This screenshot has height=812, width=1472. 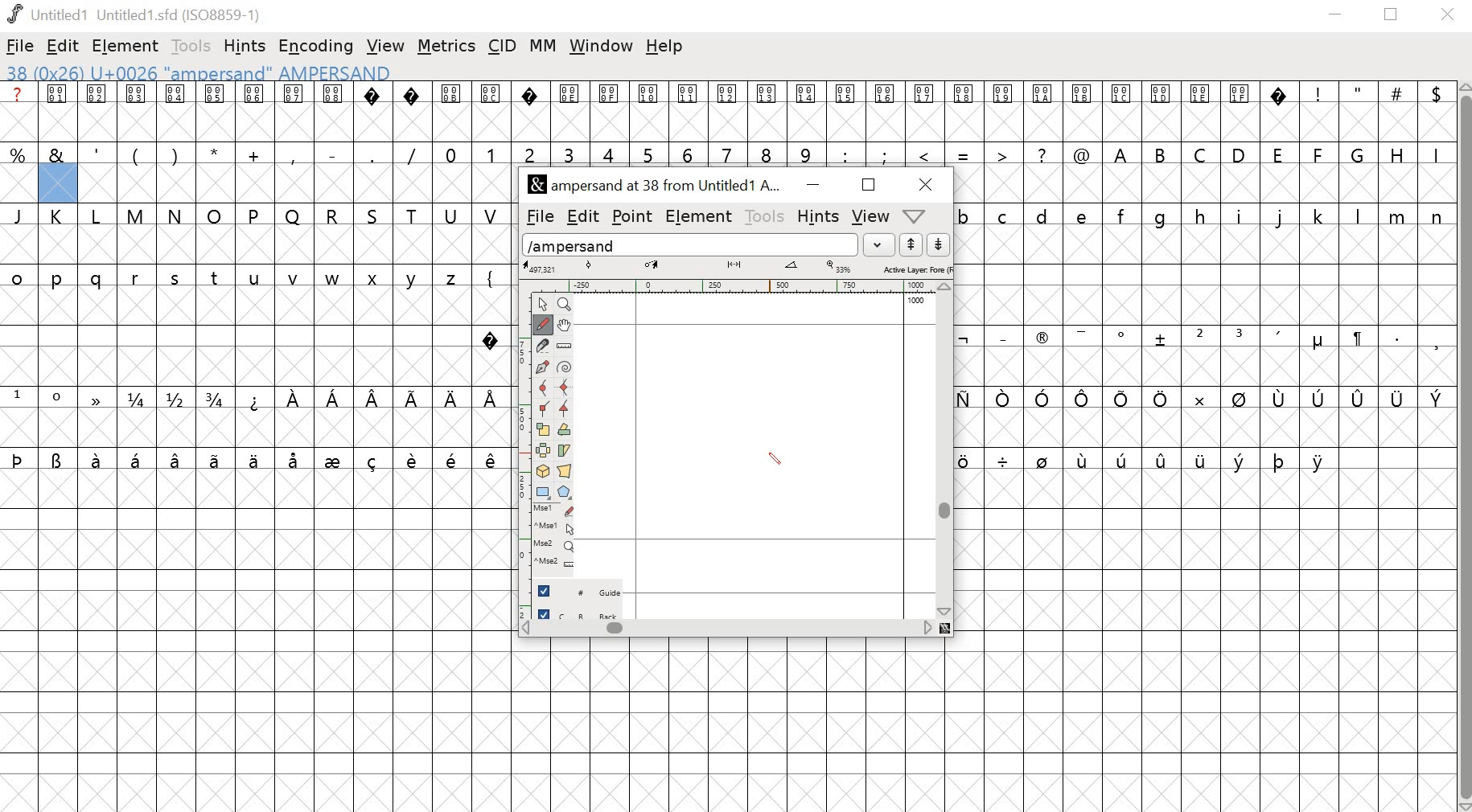 What do you see at coordinates (584, 590) in the screenshot?
I see `selection toggle Guide` at bounding box center [584, 590].